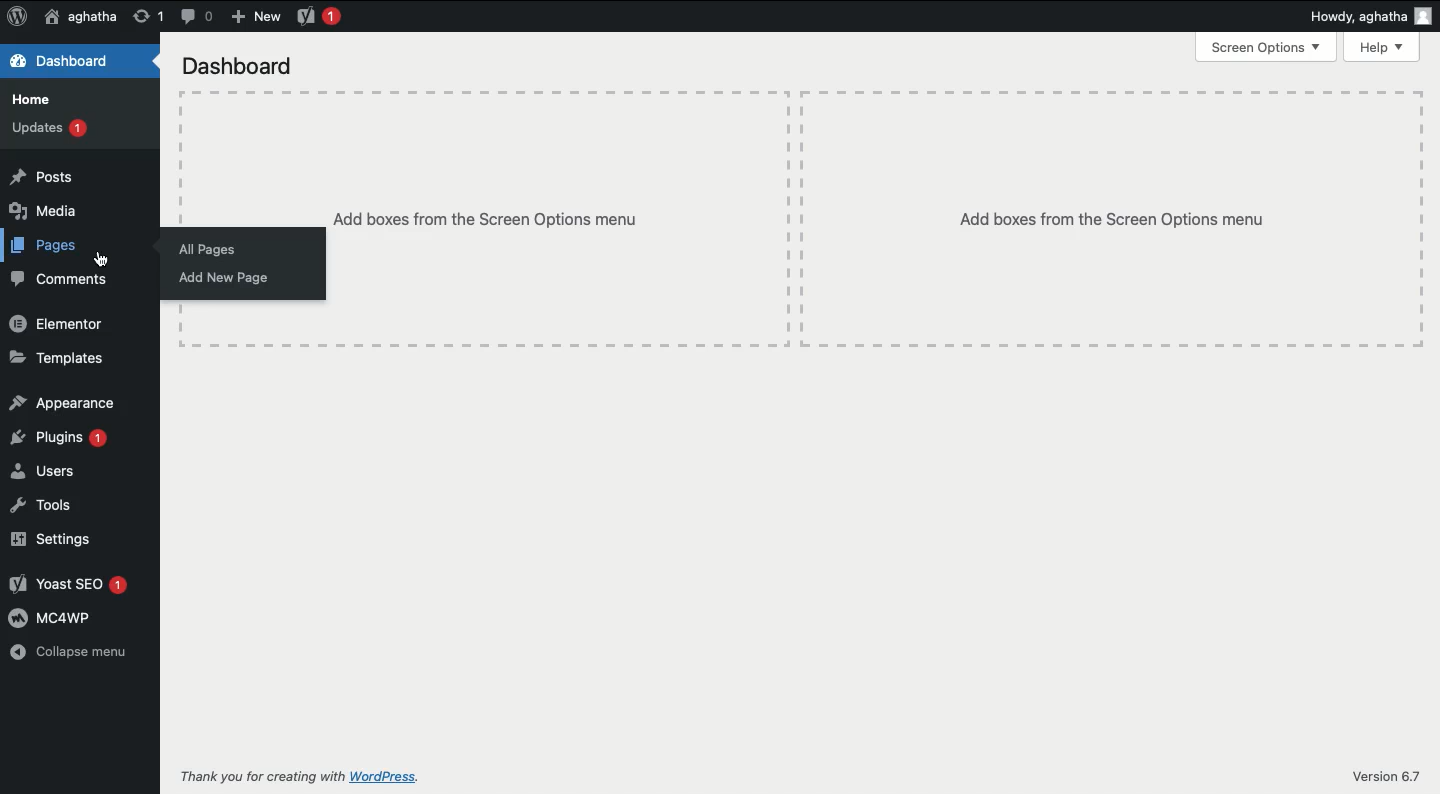 This screenshot has width=1440, height=794. I want to click on Updates, so click(49, 129).